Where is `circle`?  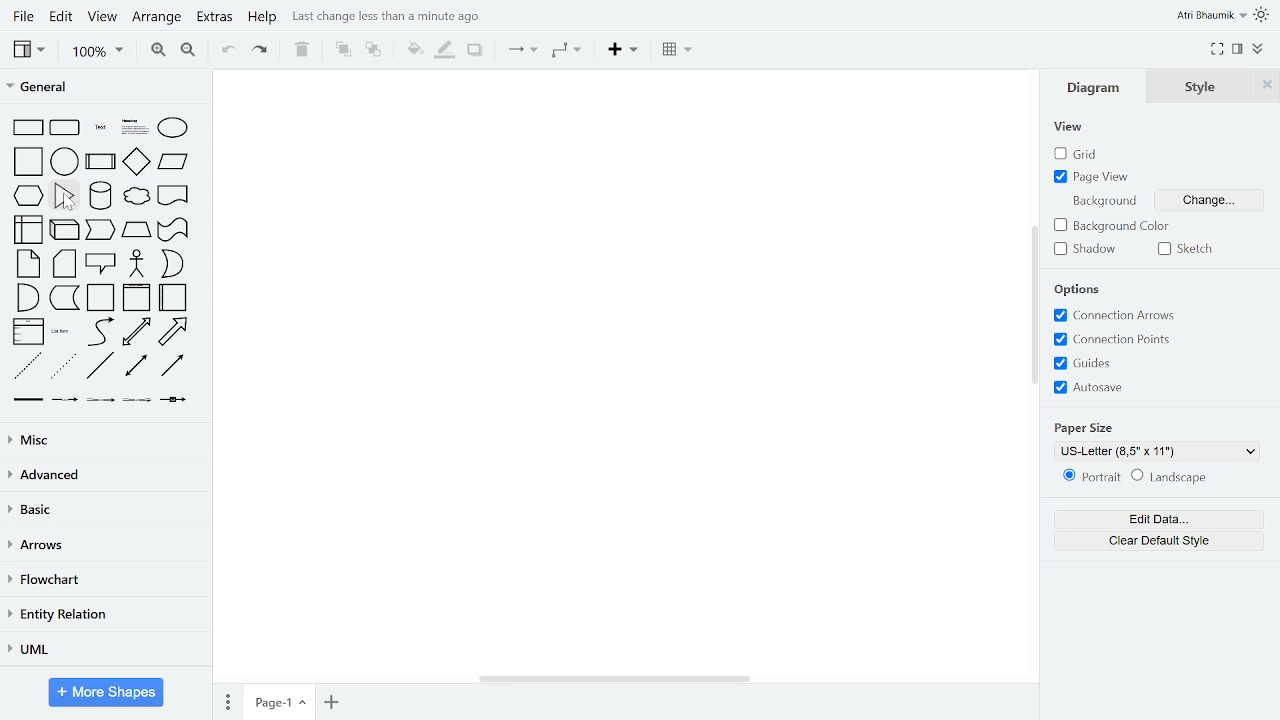 circle is located at coordinates (65, 161).